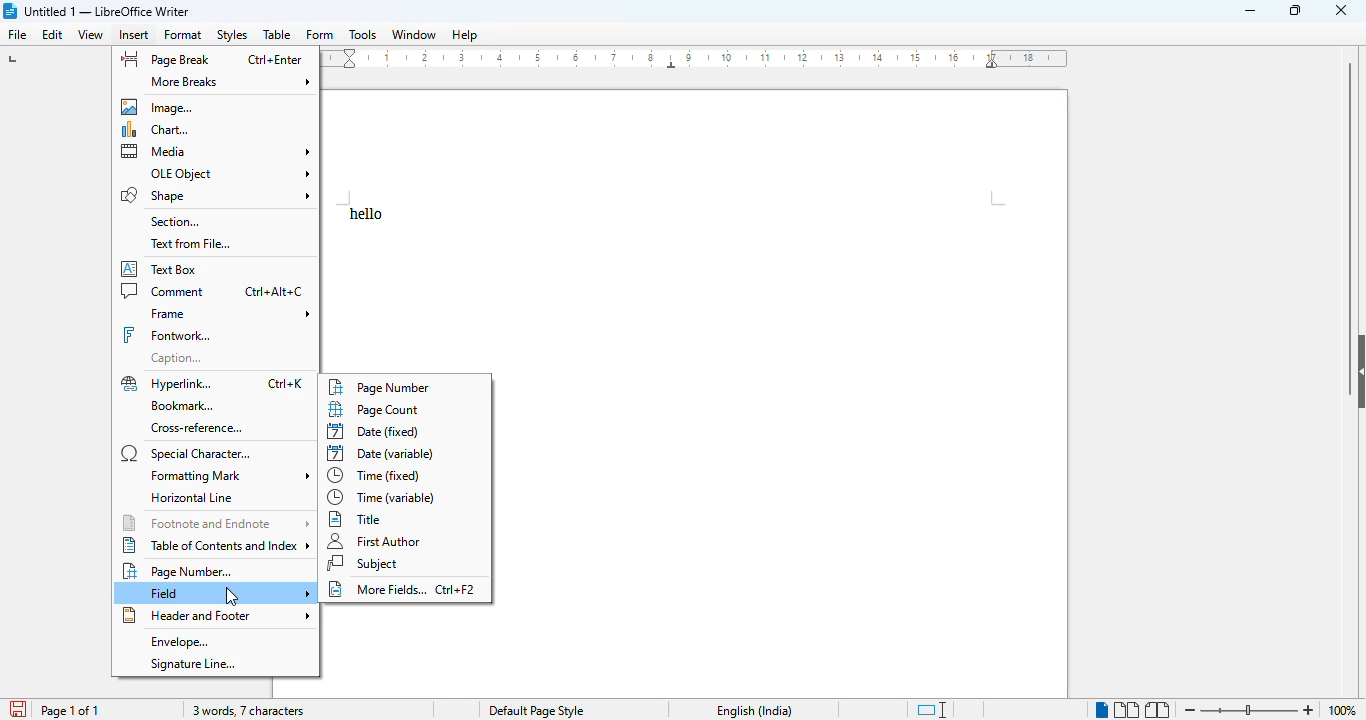 This screenshot has height=720, width=1366. Describe the element at coordinates (1351, 192) in the screenshot. I see `vertical scroll bar` at that location.